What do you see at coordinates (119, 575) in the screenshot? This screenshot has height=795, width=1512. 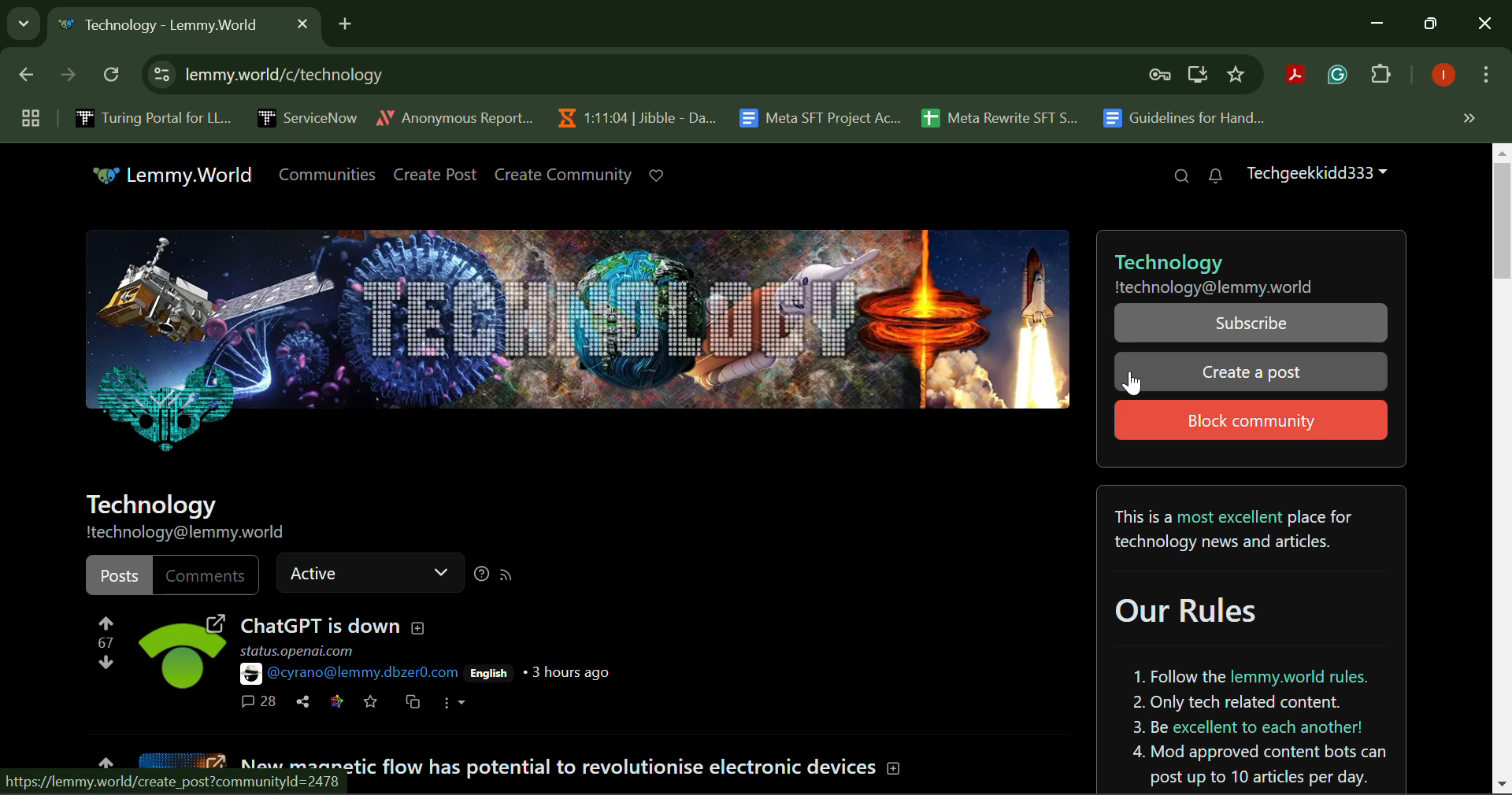 I see `Posts Filter Selected` at bounding box center [119, 575].